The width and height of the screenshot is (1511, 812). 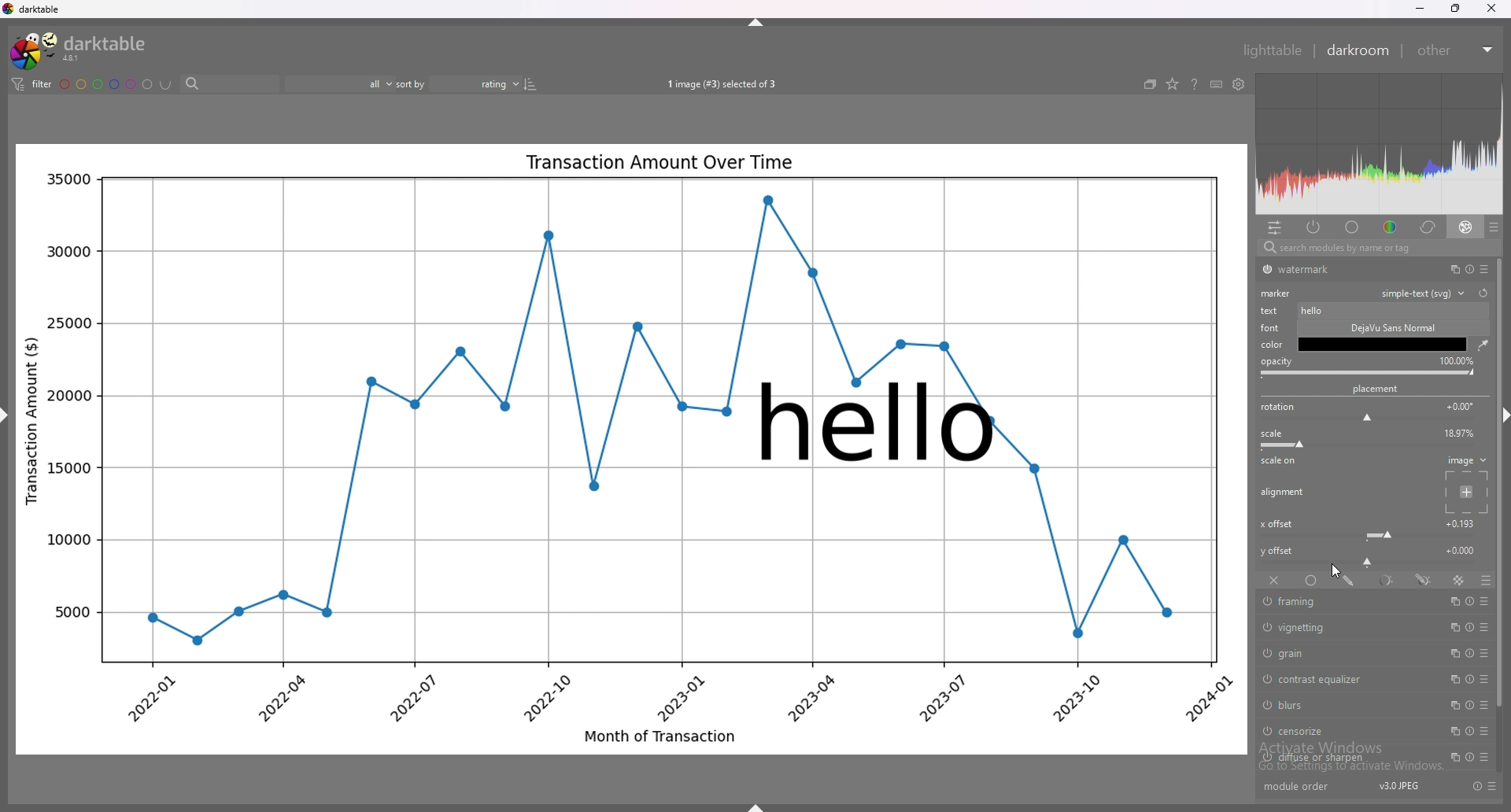 I want to click on reset, so click(x=1466, y=756).